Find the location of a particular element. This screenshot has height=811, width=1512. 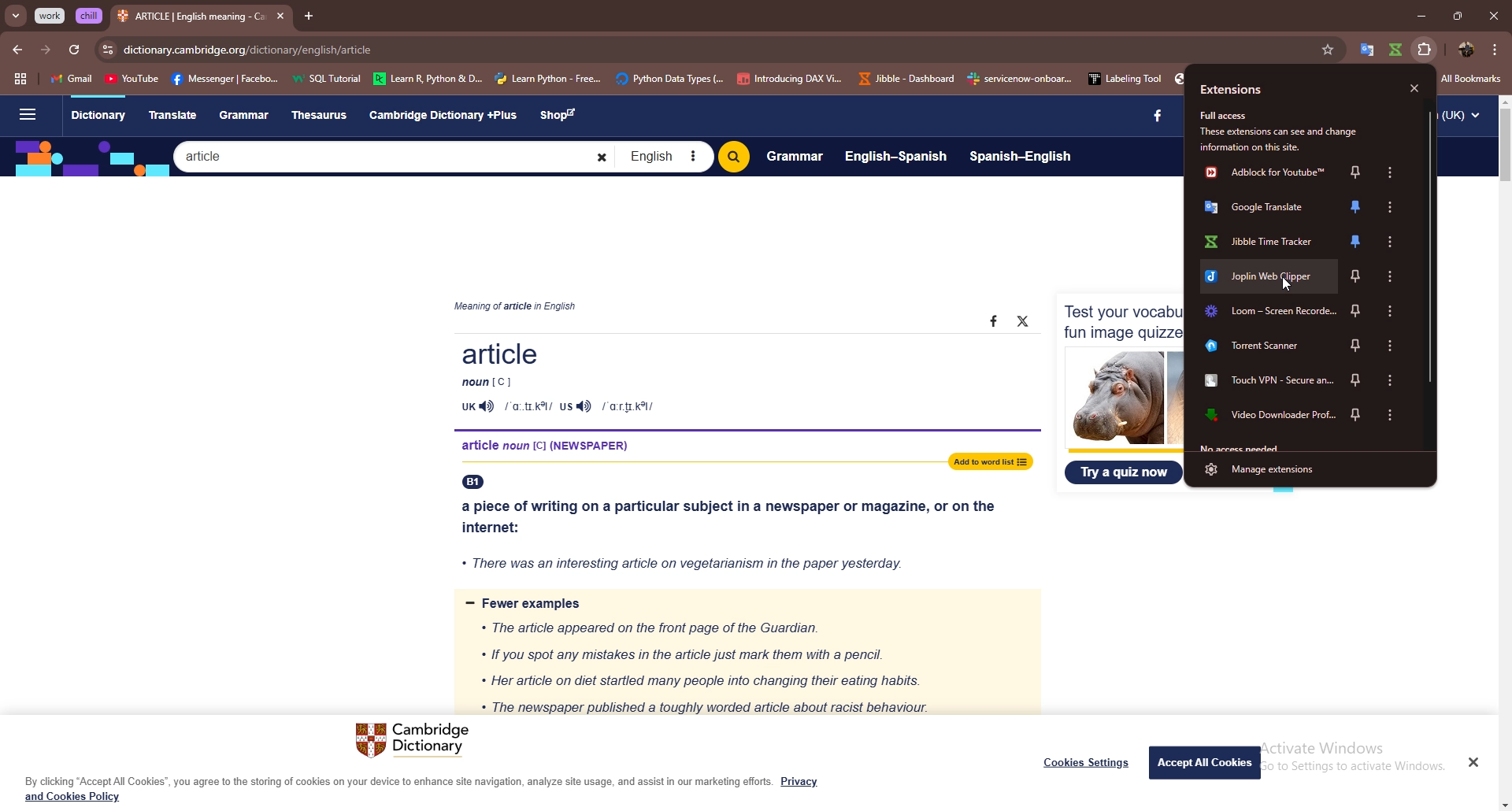

extension is located at coordinates (1266, 384).